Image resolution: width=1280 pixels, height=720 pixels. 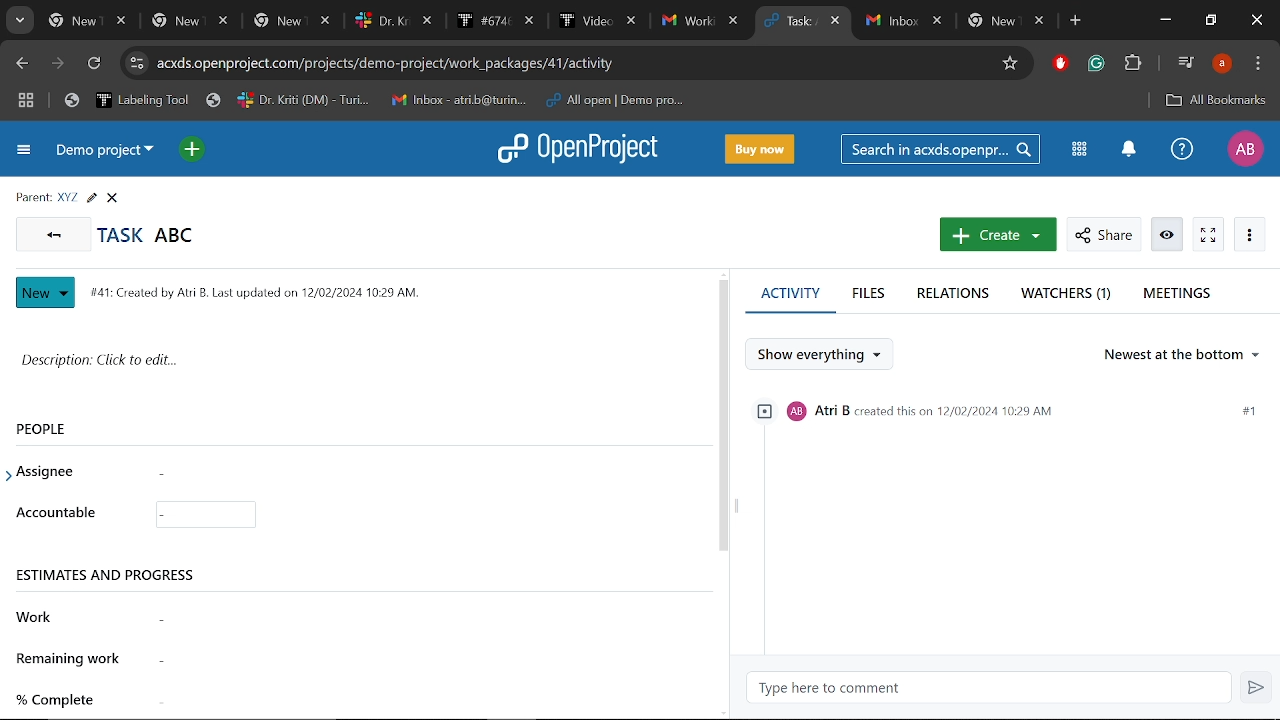 What do you see at coordinates (790, 21) in the screenshot?
I see `Current tab` at bounding box center [790, 21].